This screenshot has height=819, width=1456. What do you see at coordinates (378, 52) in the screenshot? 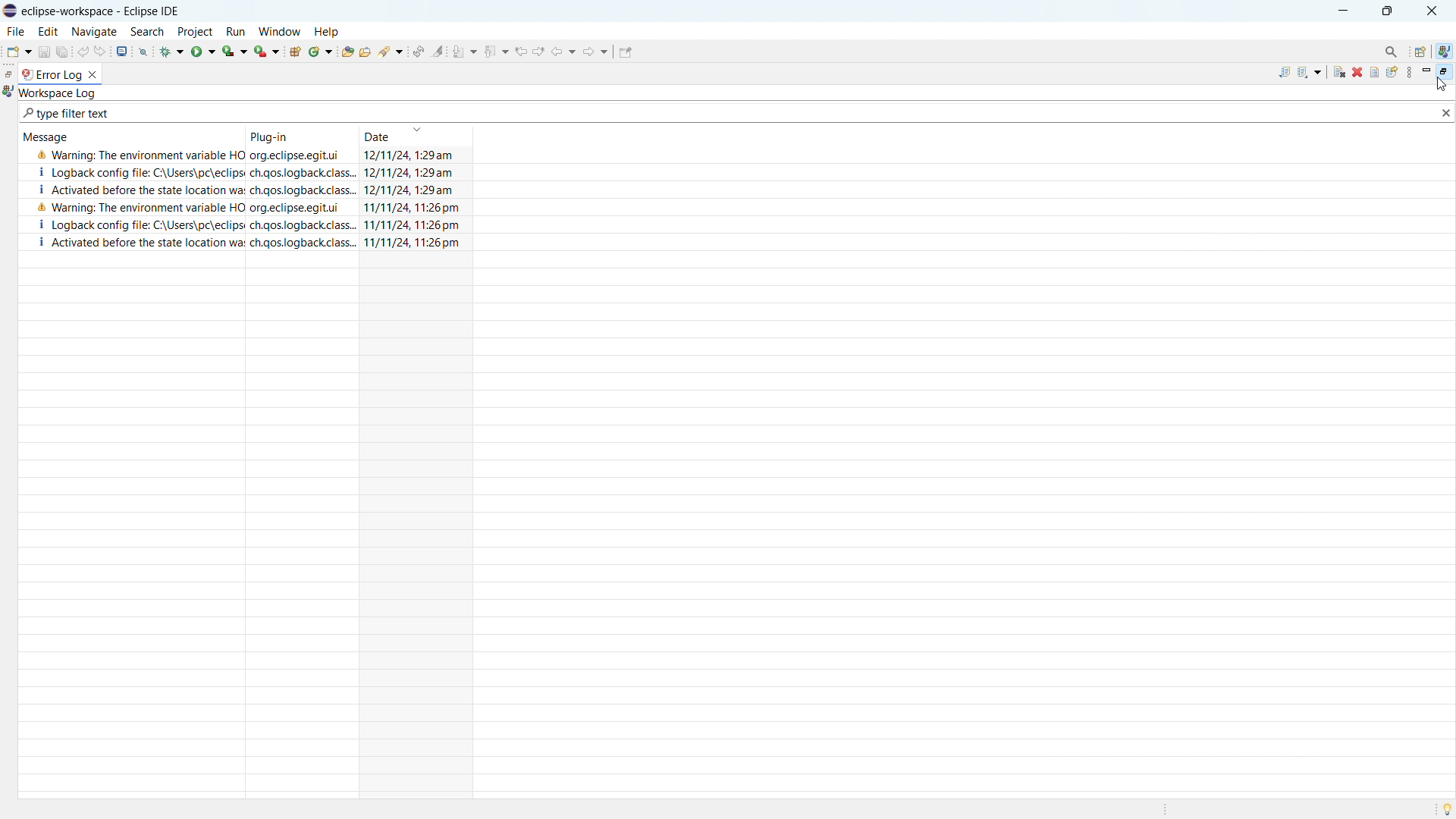
I see `open task` at bounding box center [378, 52].